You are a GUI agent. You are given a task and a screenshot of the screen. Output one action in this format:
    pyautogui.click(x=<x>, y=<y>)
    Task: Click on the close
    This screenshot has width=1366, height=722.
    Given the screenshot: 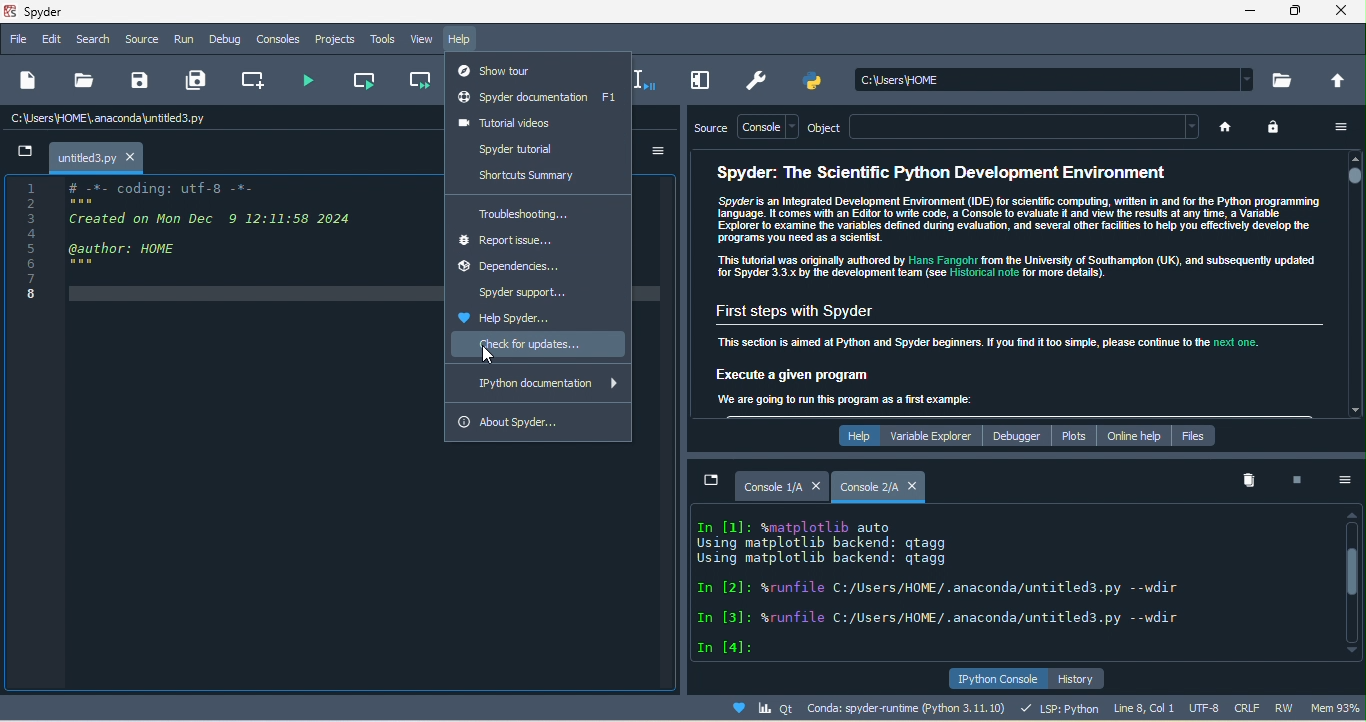 What is the action you would take?
    pyautogui.click(x=132, y=157)
    